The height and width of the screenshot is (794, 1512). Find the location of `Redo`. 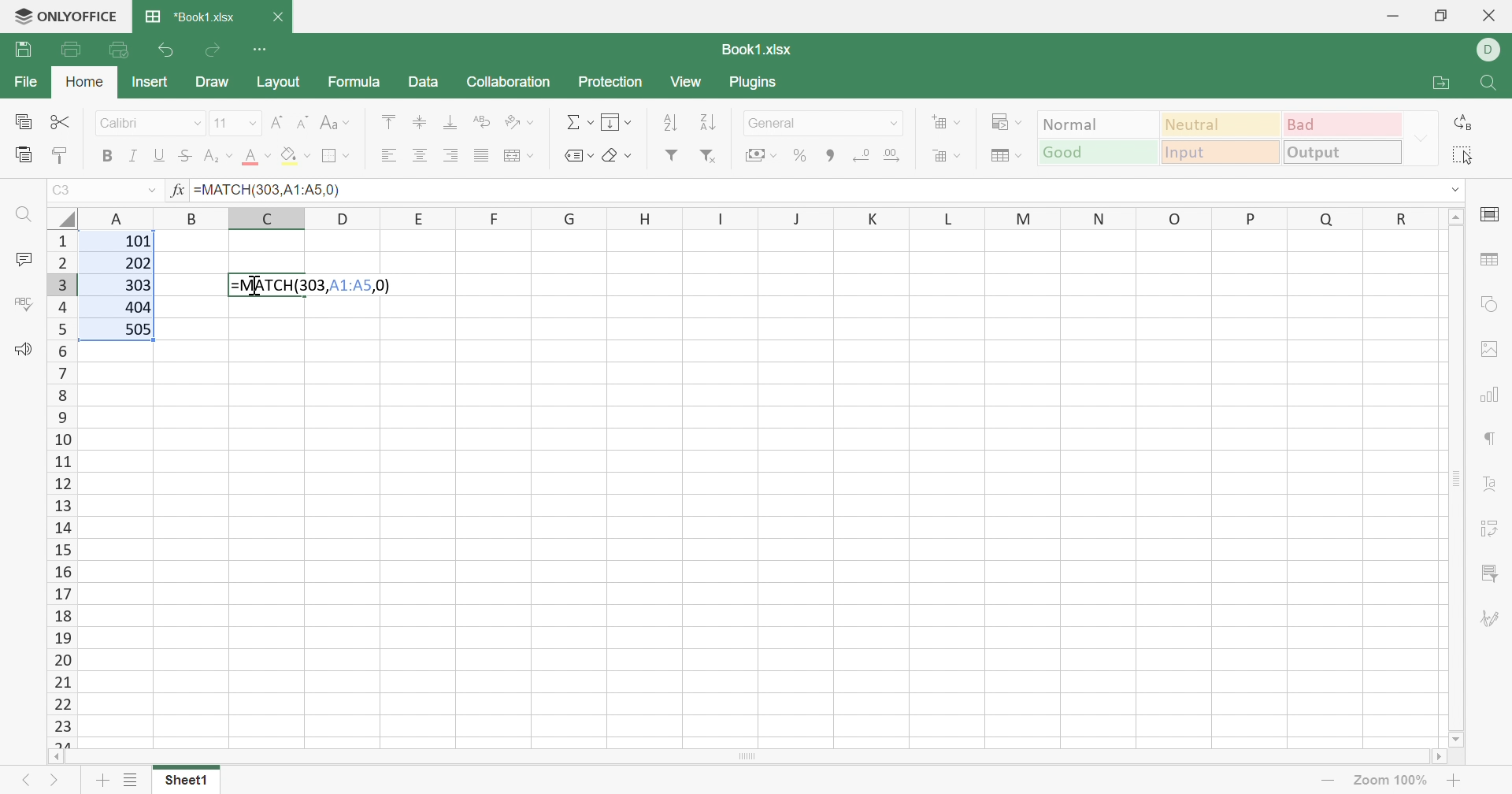

Redo is located at coordinates (216, 50).